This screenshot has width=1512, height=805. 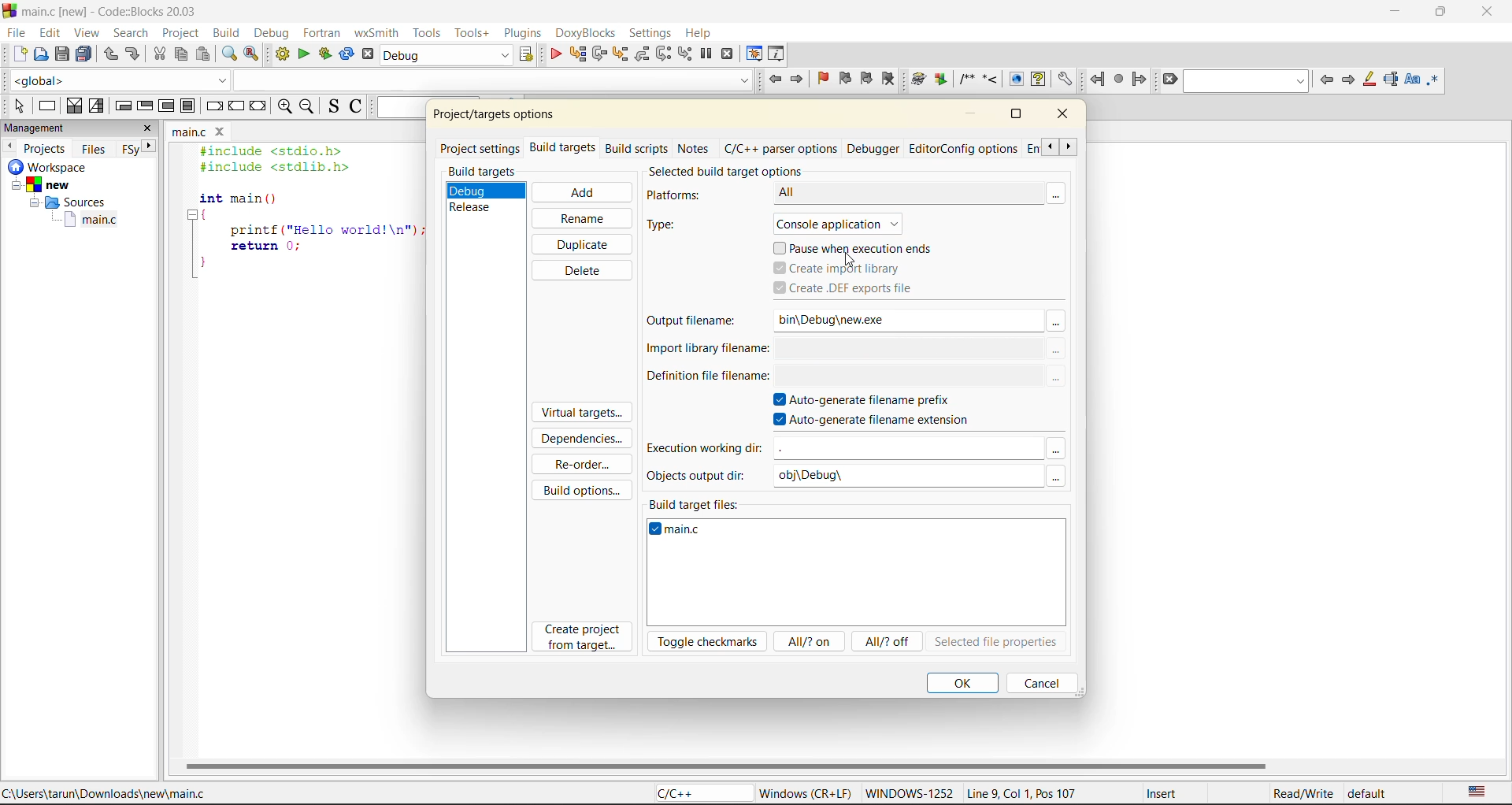 What do you see at coordinates (584, 638) in the screenshot?
I see `create project from target` at bounding box center [584, 638].